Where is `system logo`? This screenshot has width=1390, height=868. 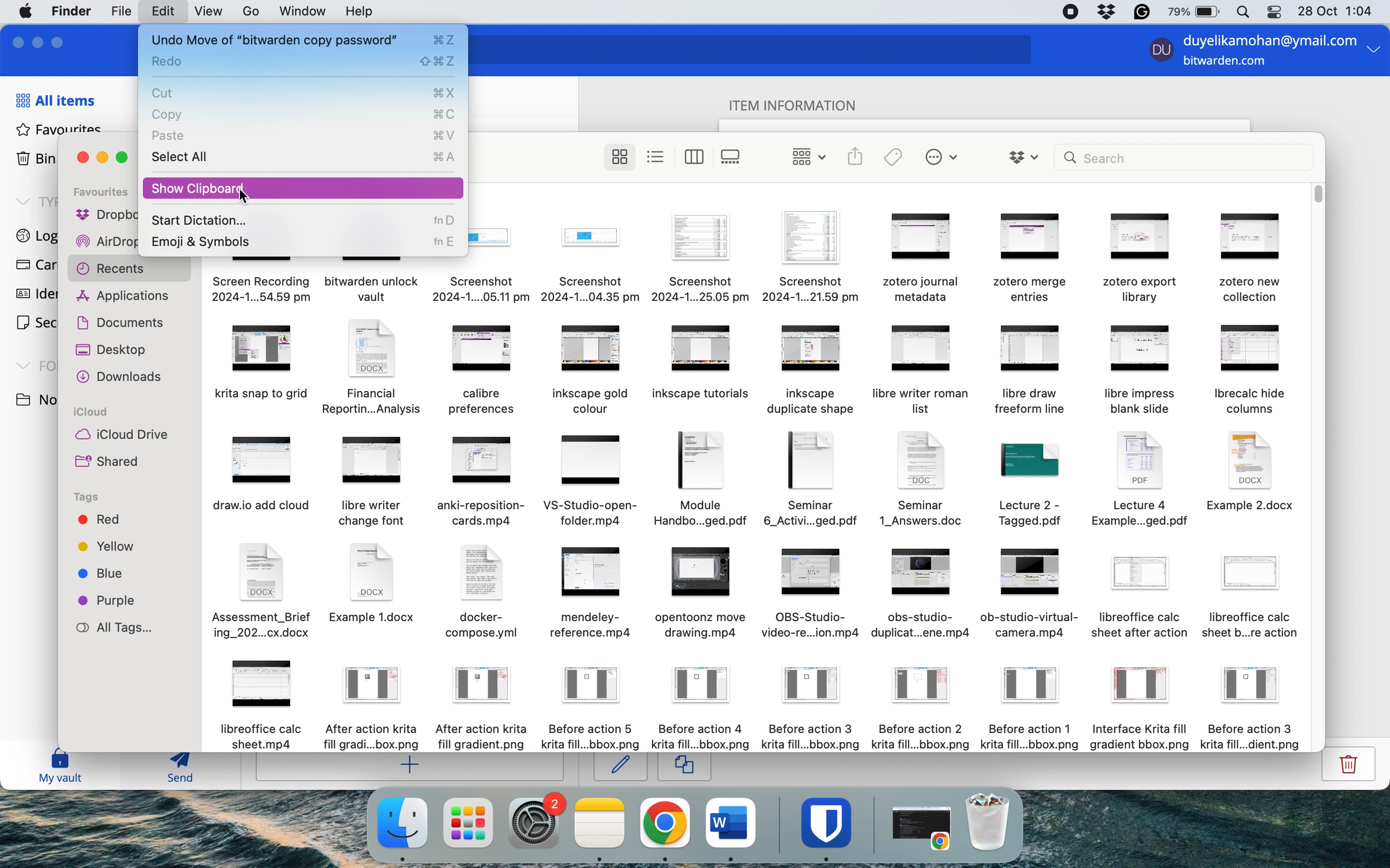
system logo is located at coordinates (28, 10).